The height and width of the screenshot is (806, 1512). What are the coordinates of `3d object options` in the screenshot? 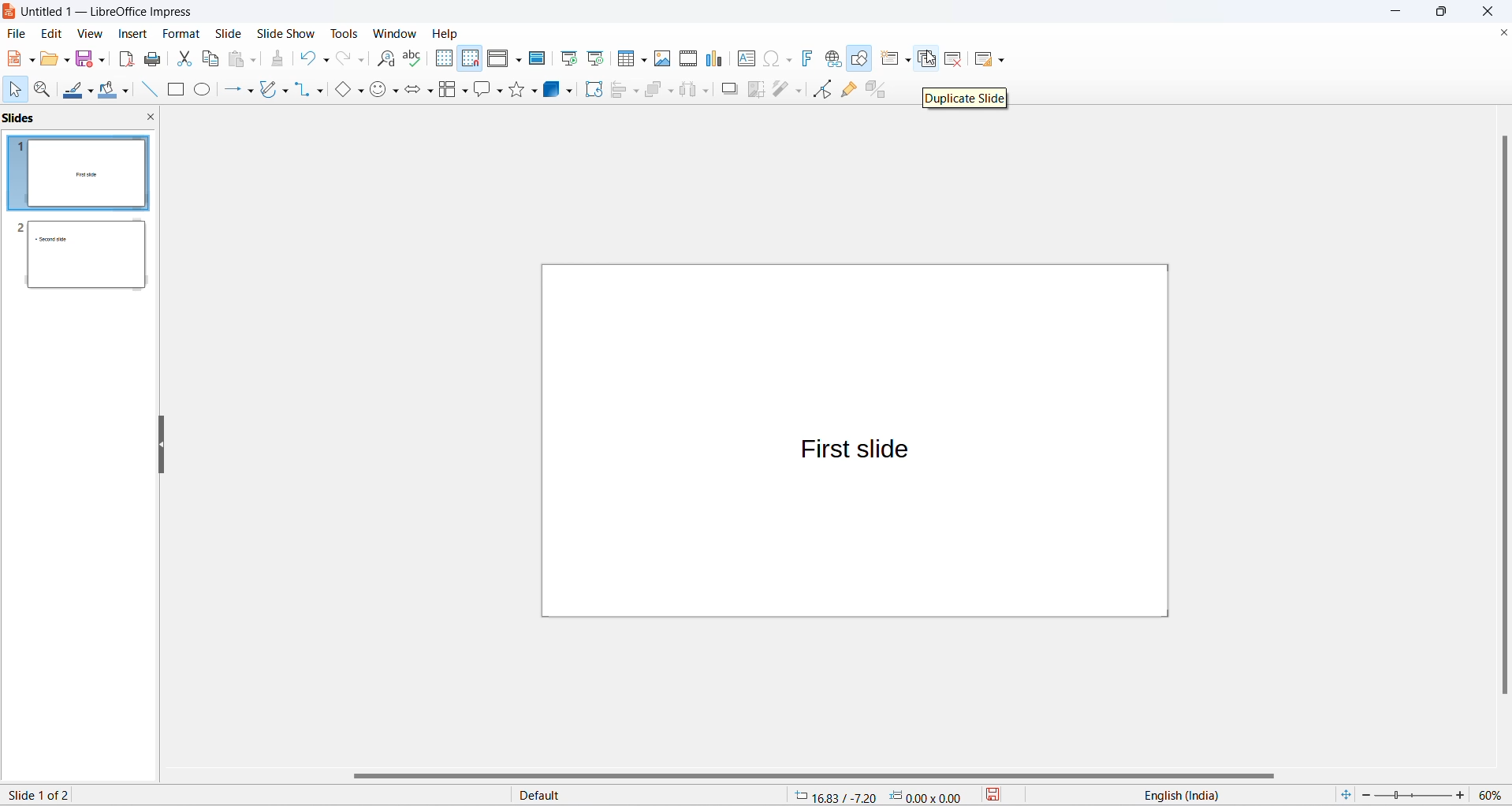 It's located at (573, 90).